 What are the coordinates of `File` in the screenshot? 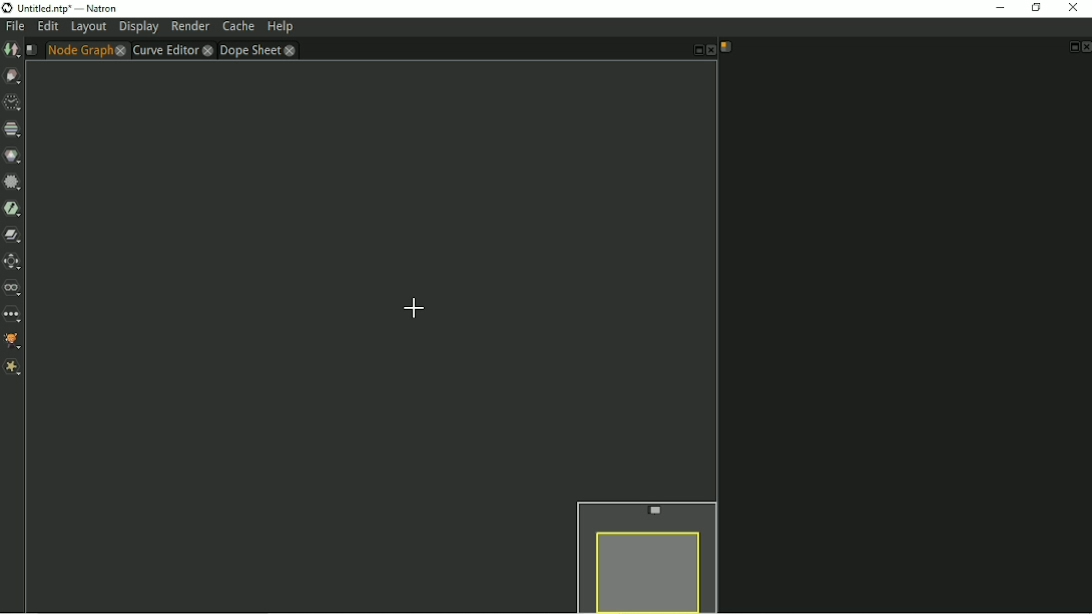 It's located at (14, 27).